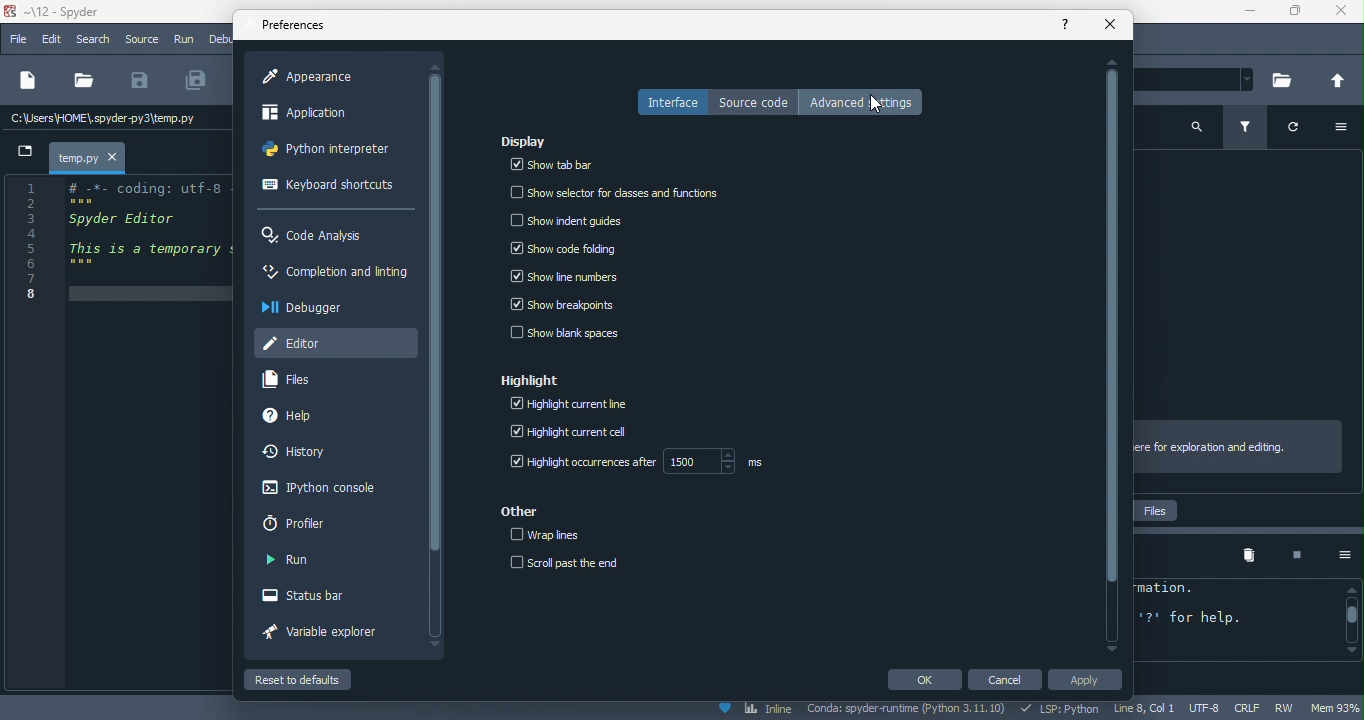  I want to click on files, so click(296, 380).